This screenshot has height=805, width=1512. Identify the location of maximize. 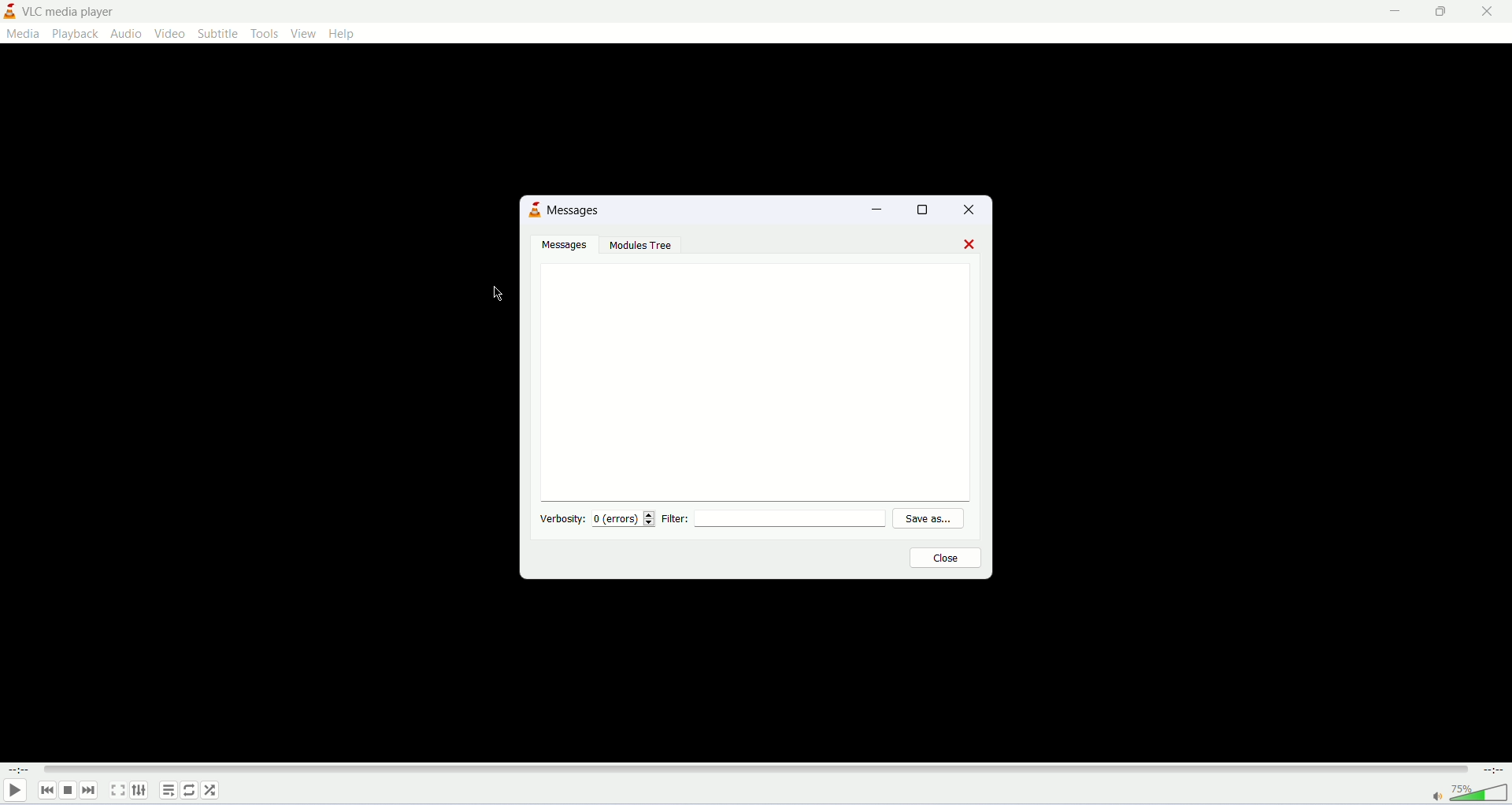
(928, 211).